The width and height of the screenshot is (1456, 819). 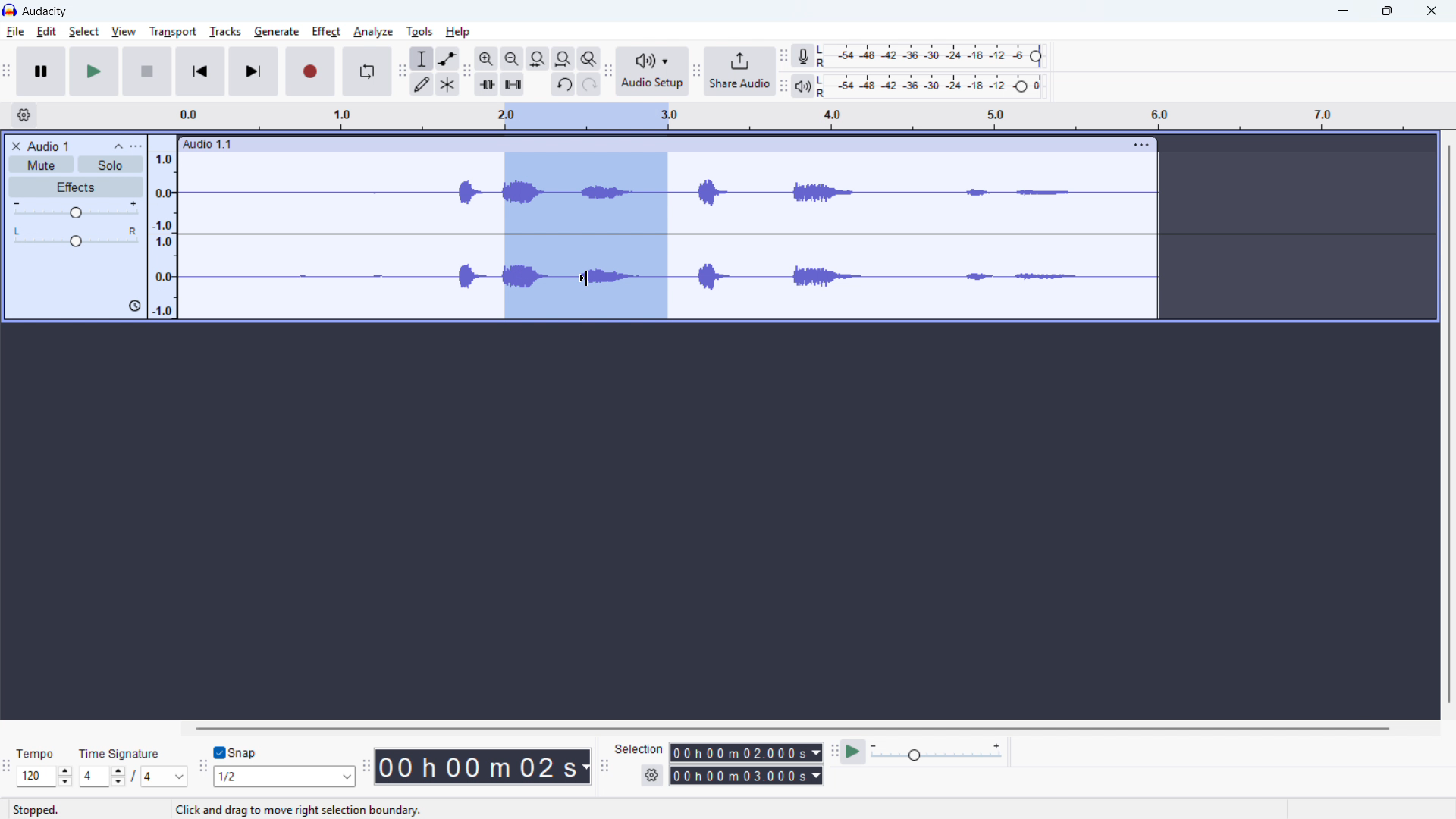 What do you see at coordinates (697, 72) in the screenshot?
I see `Share audio toolbar` at bounding box center [697, 72].